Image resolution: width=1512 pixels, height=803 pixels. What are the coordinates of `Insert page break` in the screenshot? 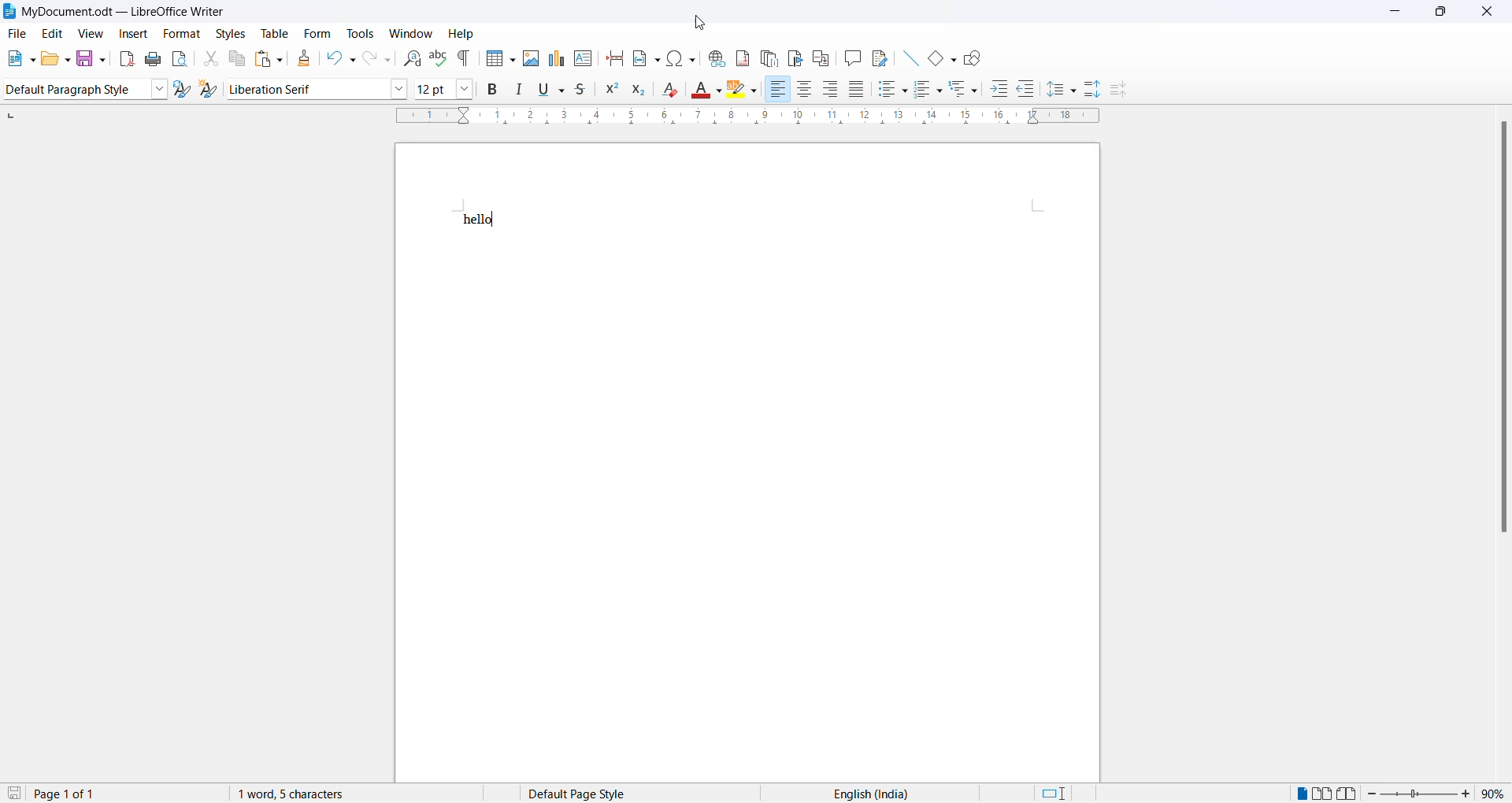 It's located at (613, 61).